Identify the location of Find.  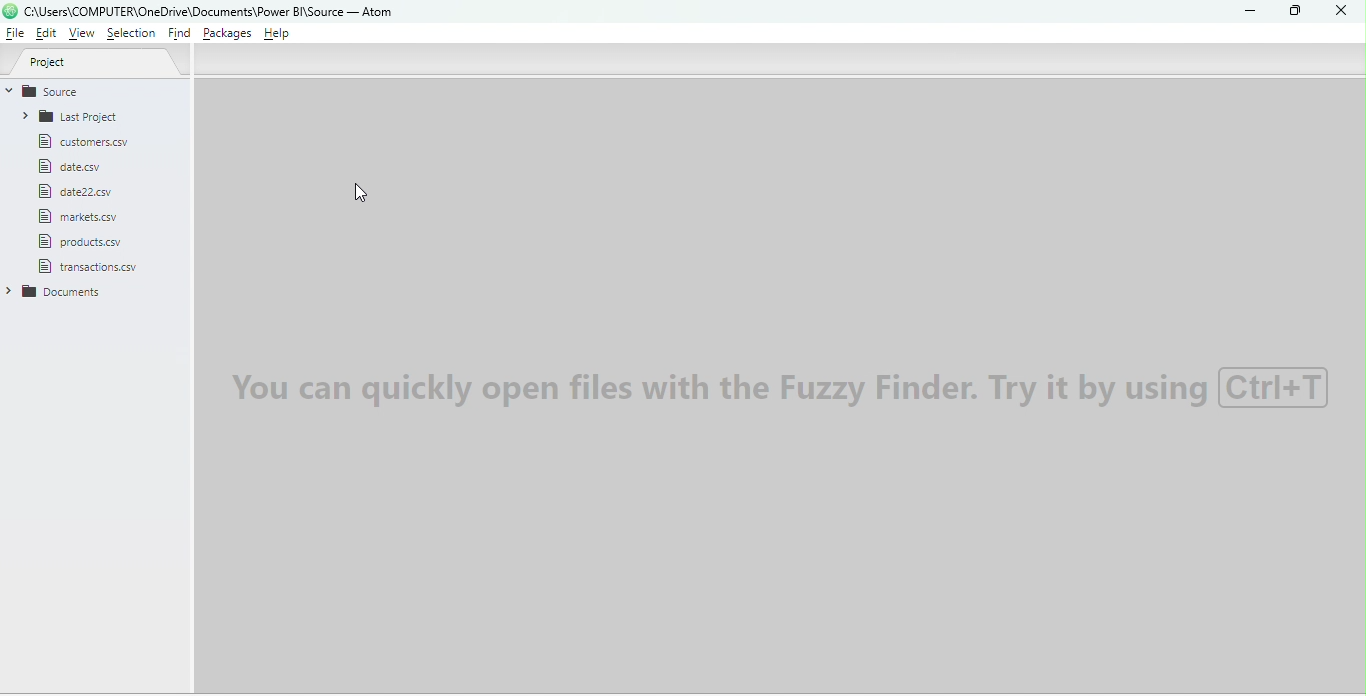
(179, 35).